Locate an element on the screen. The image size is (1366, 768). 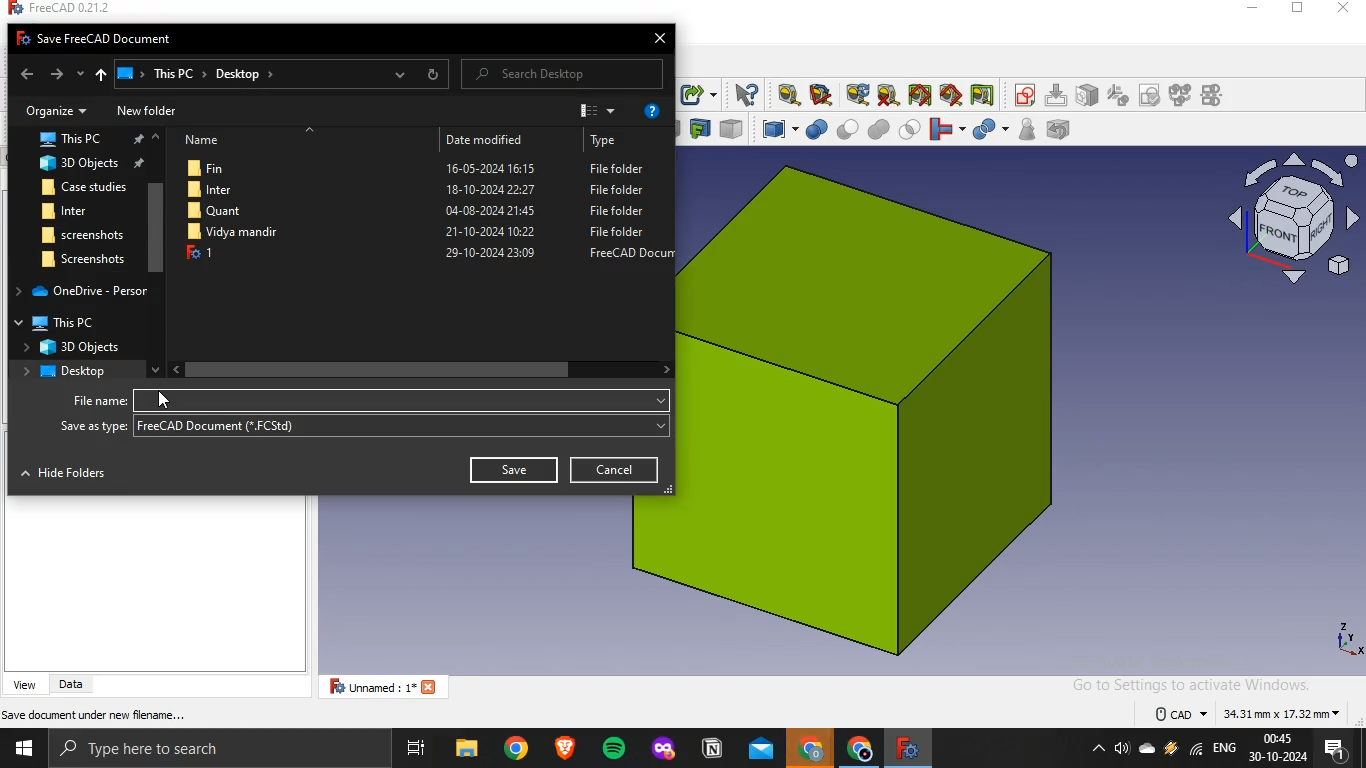
Save is located at coordinates (516, 468).